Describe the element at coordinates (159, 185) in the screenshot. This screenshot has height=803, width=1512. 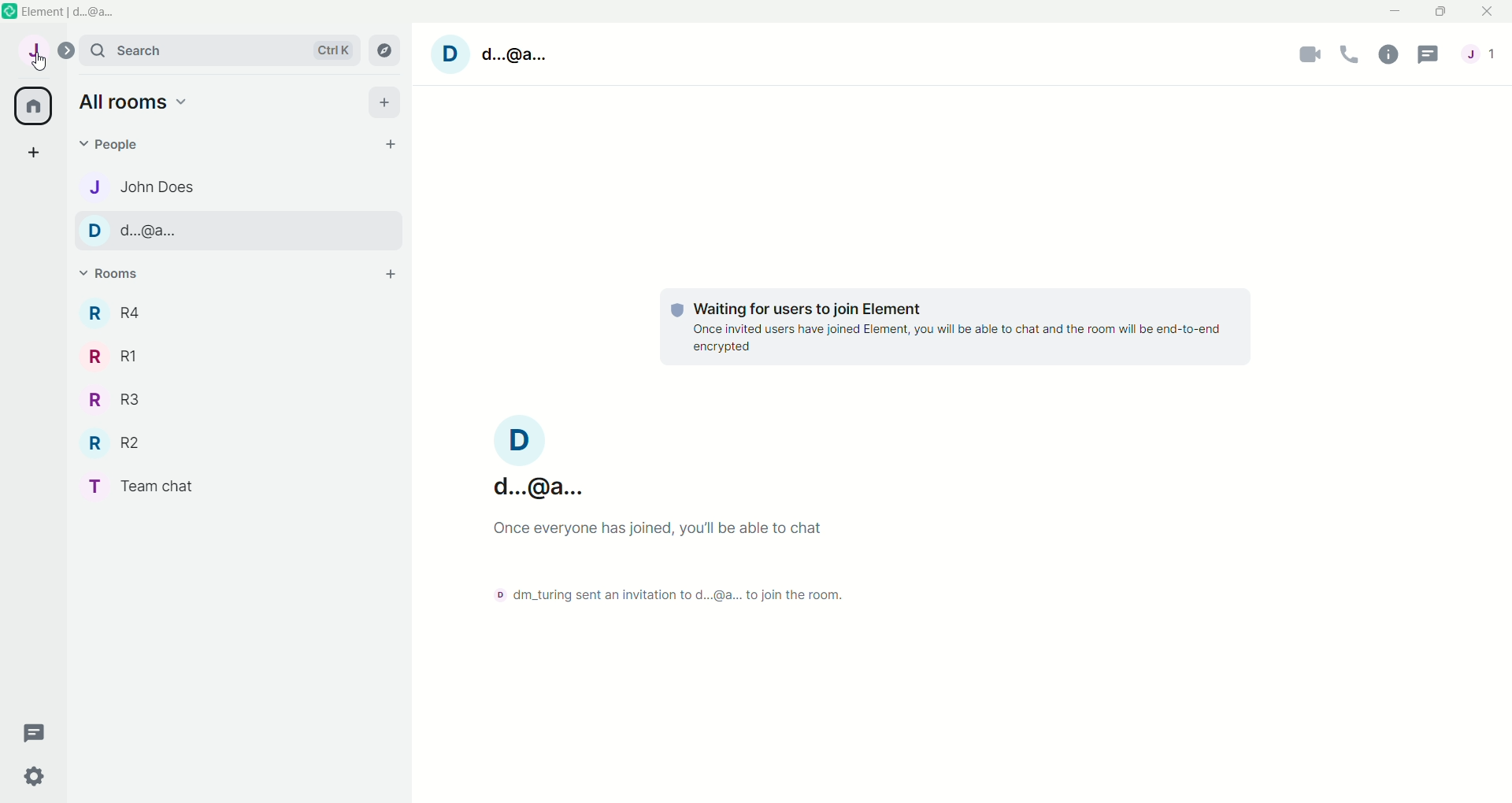
I see `Contact name` at that location.